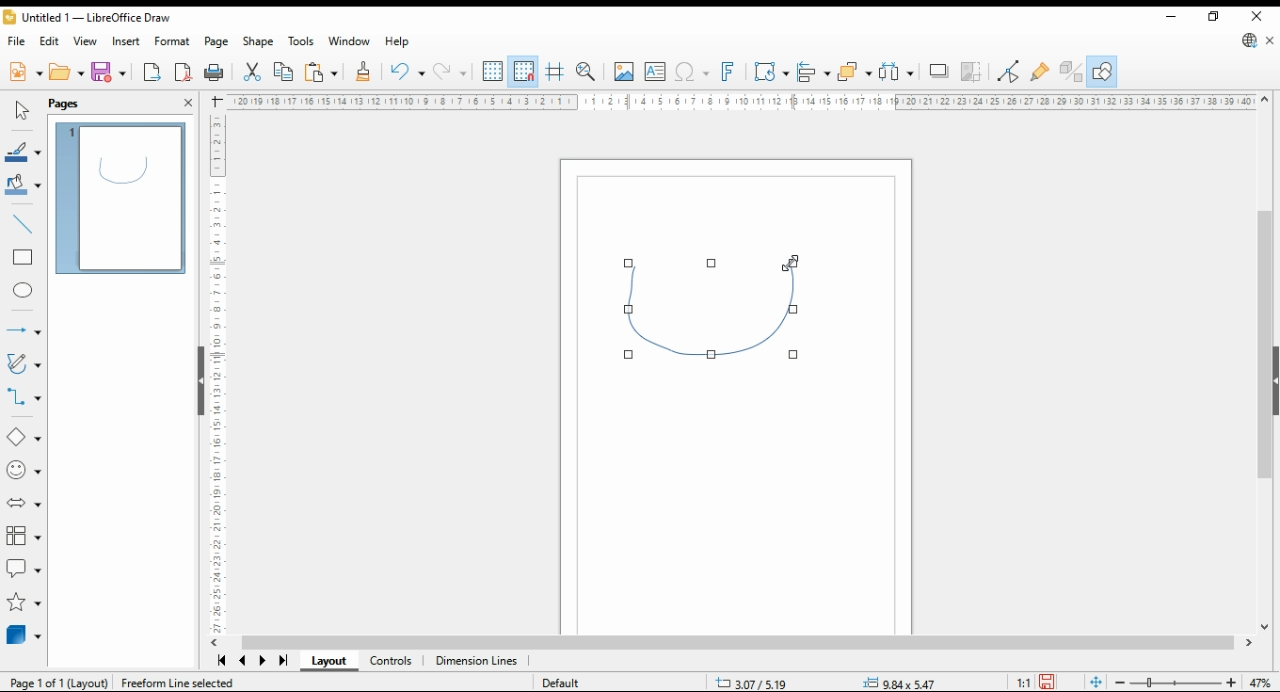  What do you see at coordinates (87, 16) in the screenshot?
I see `icon and file name` at bounding box center [87, 16].